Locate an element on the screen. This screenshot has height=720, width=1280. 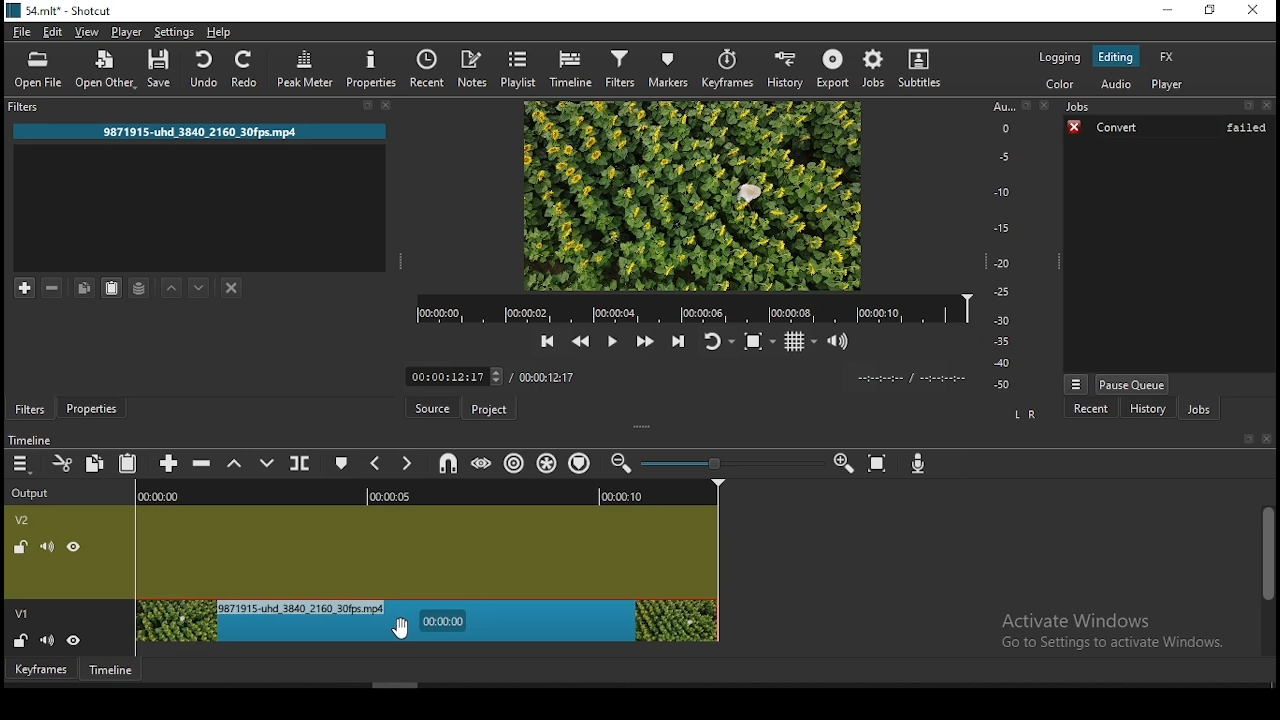
project is located at coordinates (490, 410).